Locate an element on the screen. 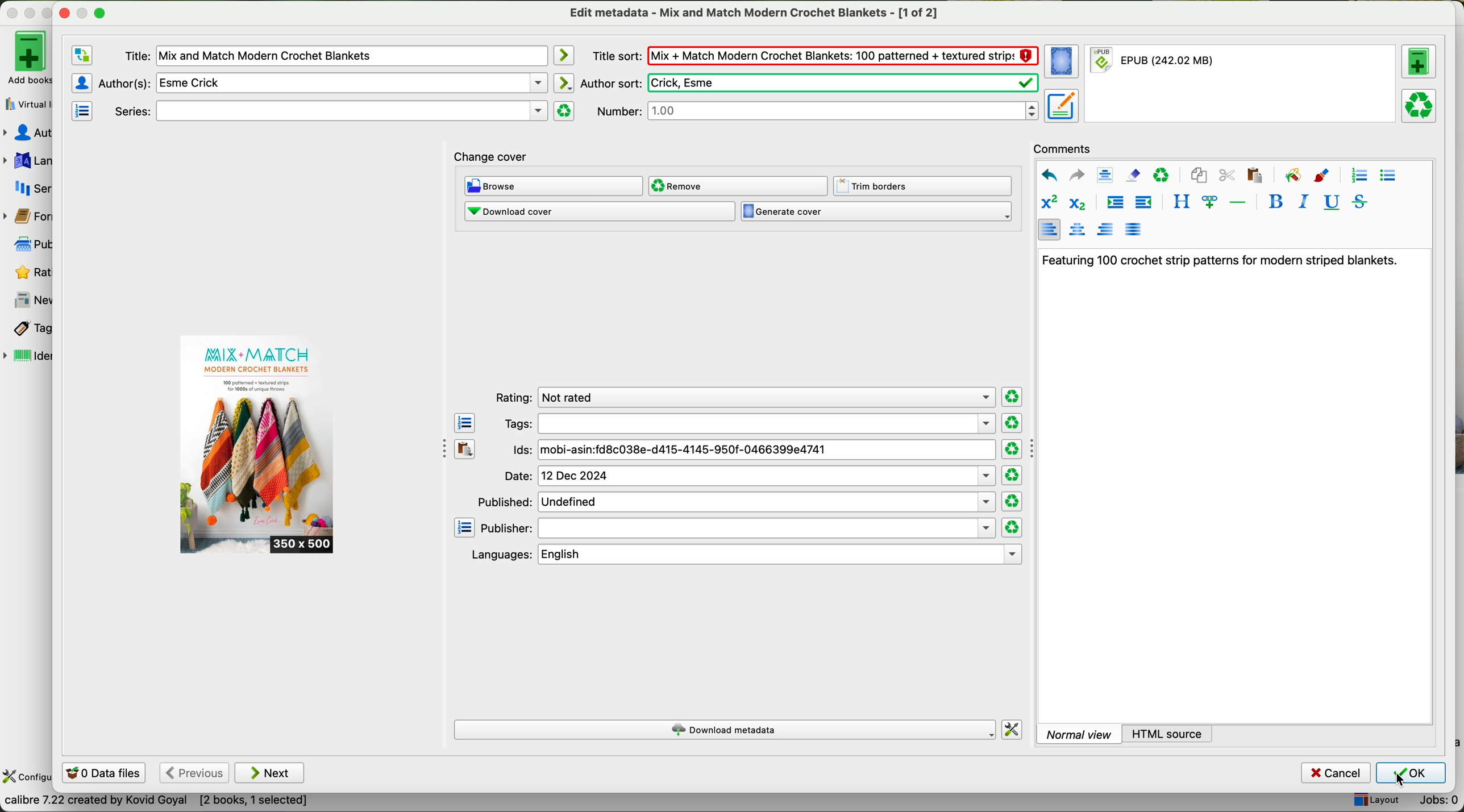 This screenshot has height=812, width=1464. author(s) is located at coordinates (323, 82).